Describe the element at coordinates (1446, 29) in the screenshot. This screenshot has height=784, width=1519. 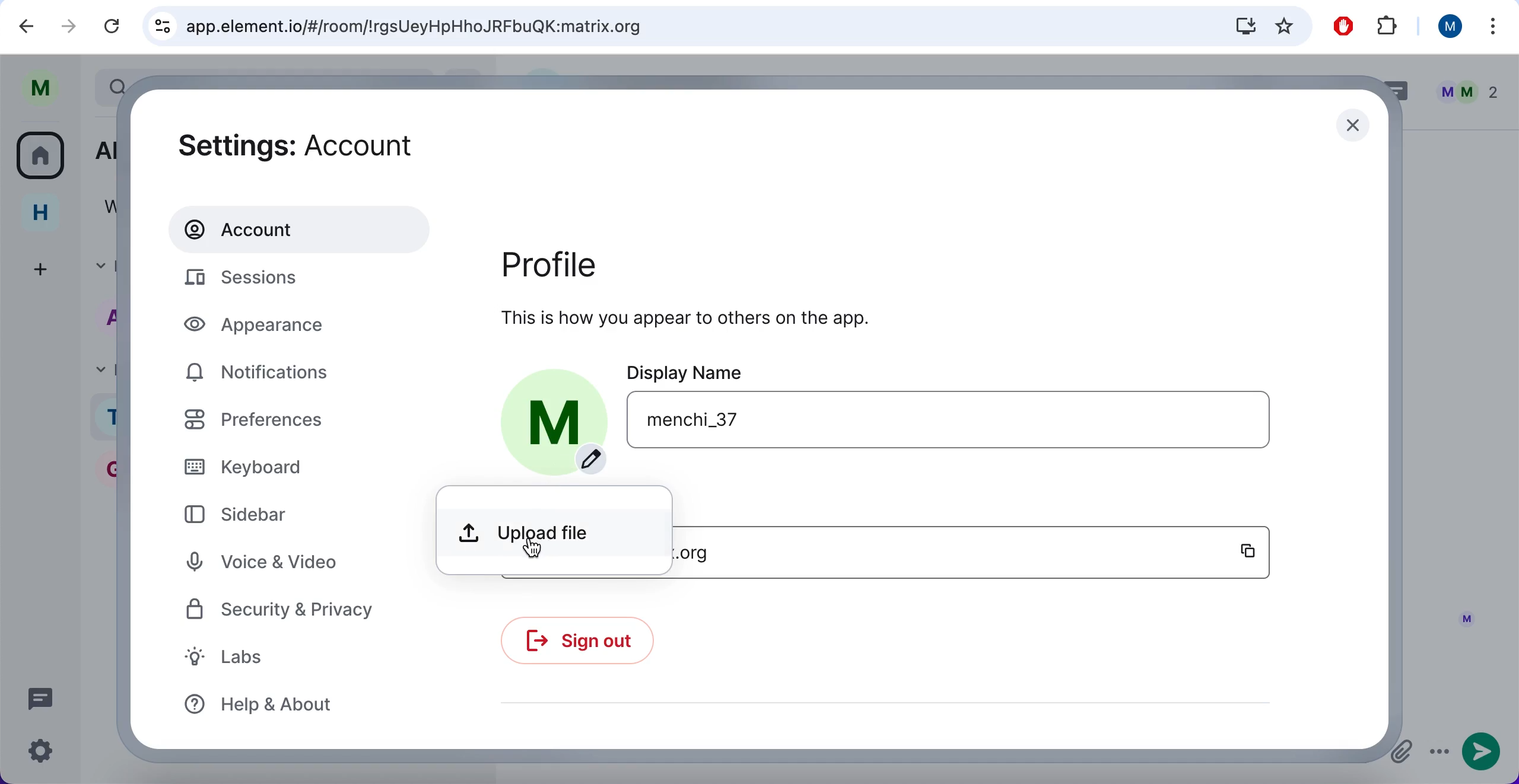
I see `user` at that location.